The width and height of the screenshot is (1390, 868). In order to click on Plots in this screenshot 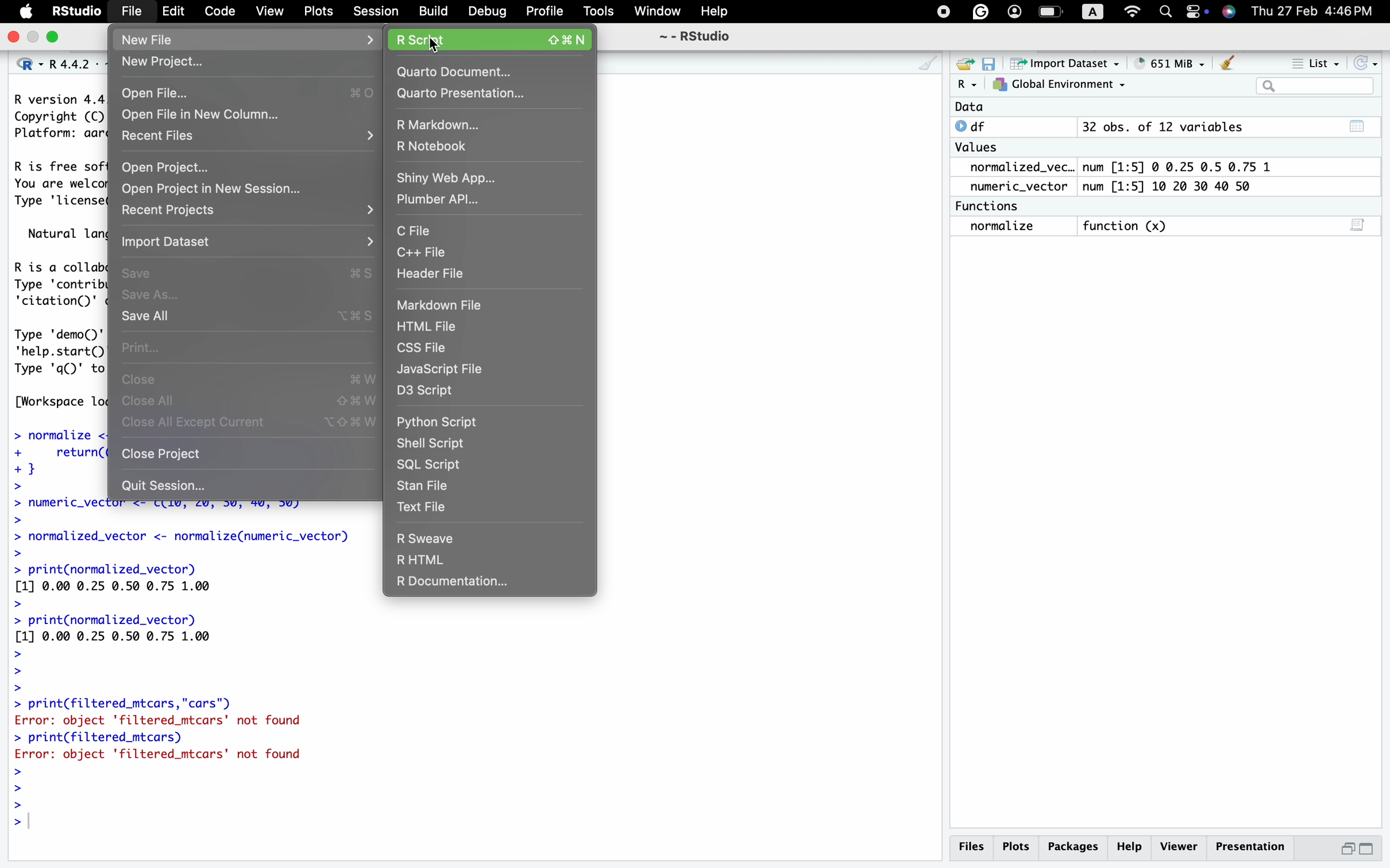, I will do `click(1018, 845)`.